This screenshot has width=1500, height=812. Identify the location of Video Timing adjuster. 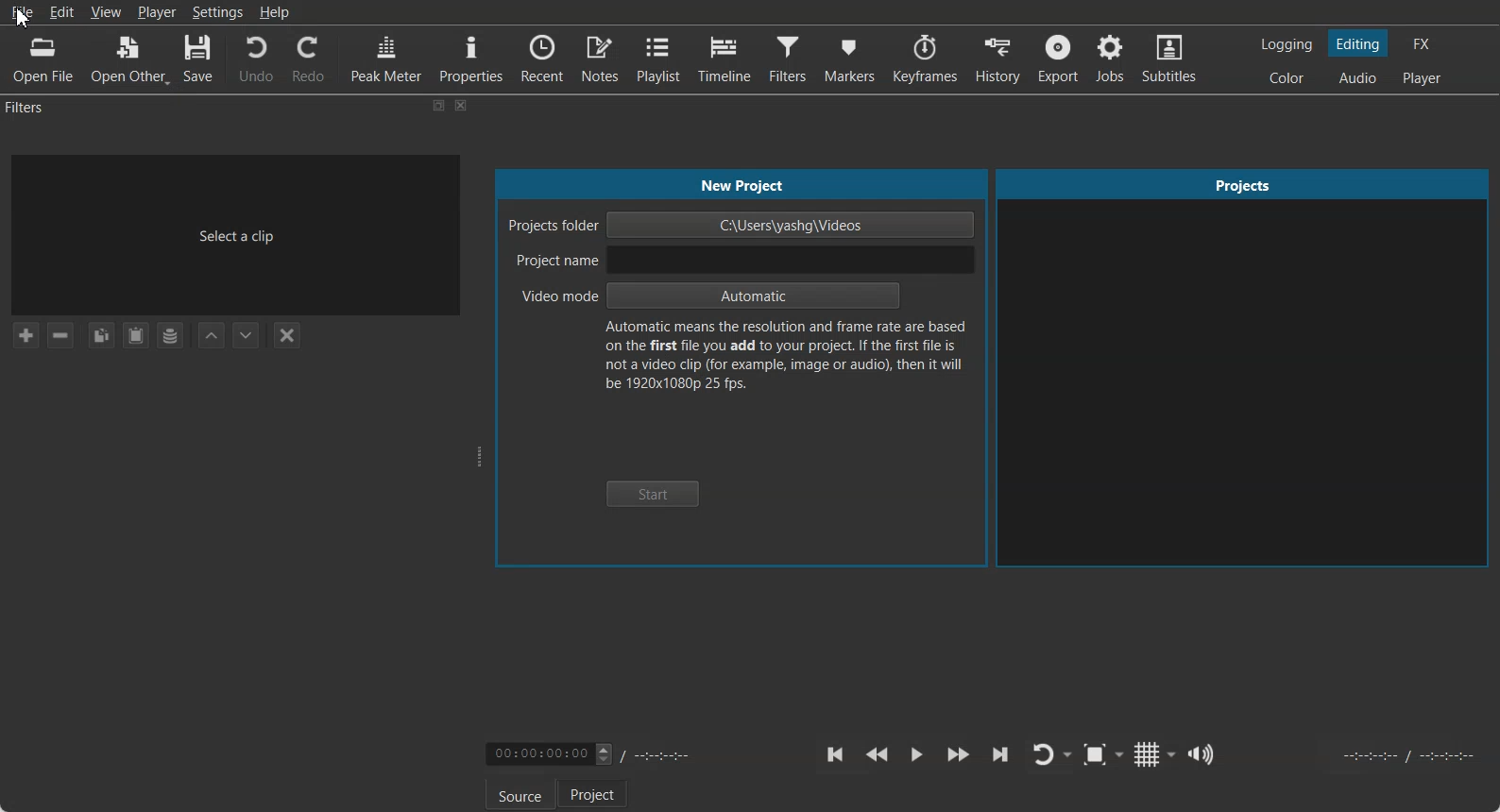
(550, 754).